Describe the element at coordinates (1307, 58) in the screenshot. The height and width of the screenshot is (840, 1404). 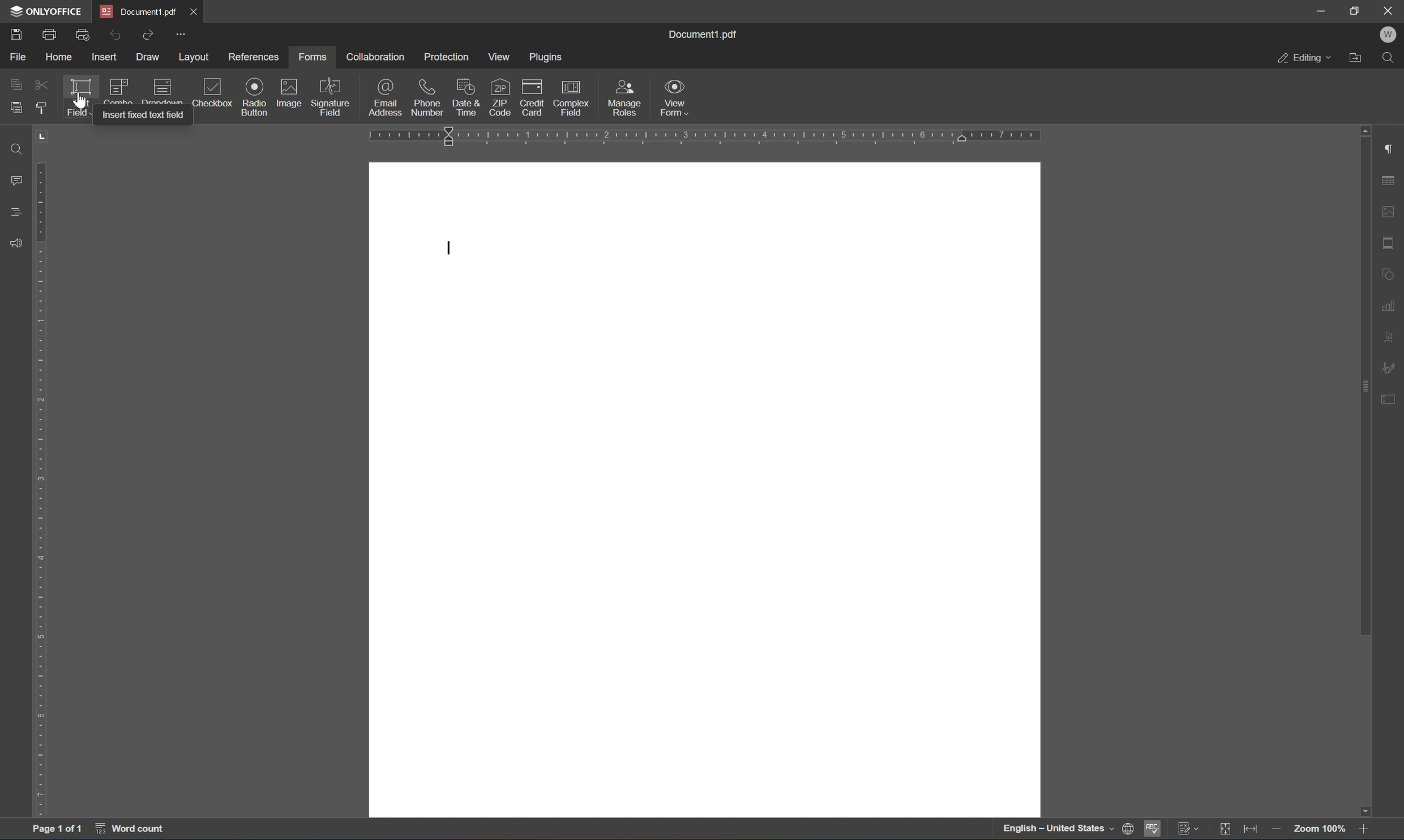
I see `editing` at that location.